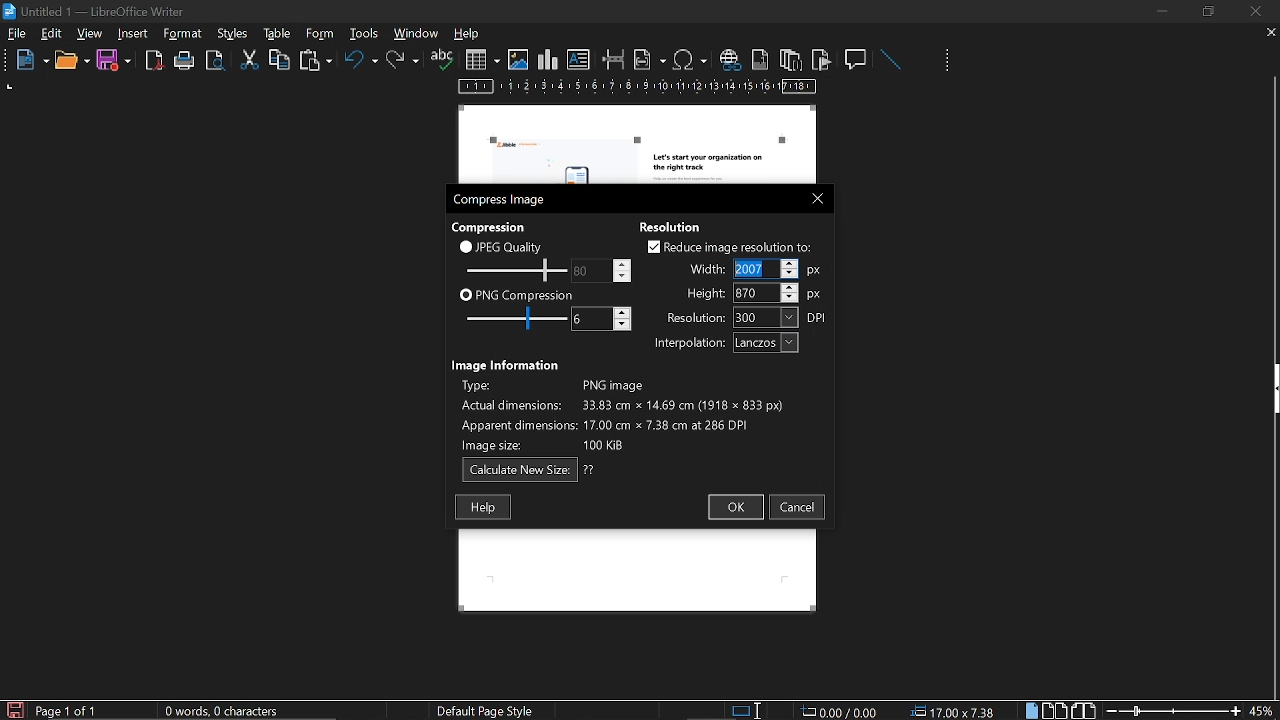 The height and width of the screenshot is (720, 1280). Describe the element at coordinates (279, 59) in the screenshot. I see `copy` at that location.